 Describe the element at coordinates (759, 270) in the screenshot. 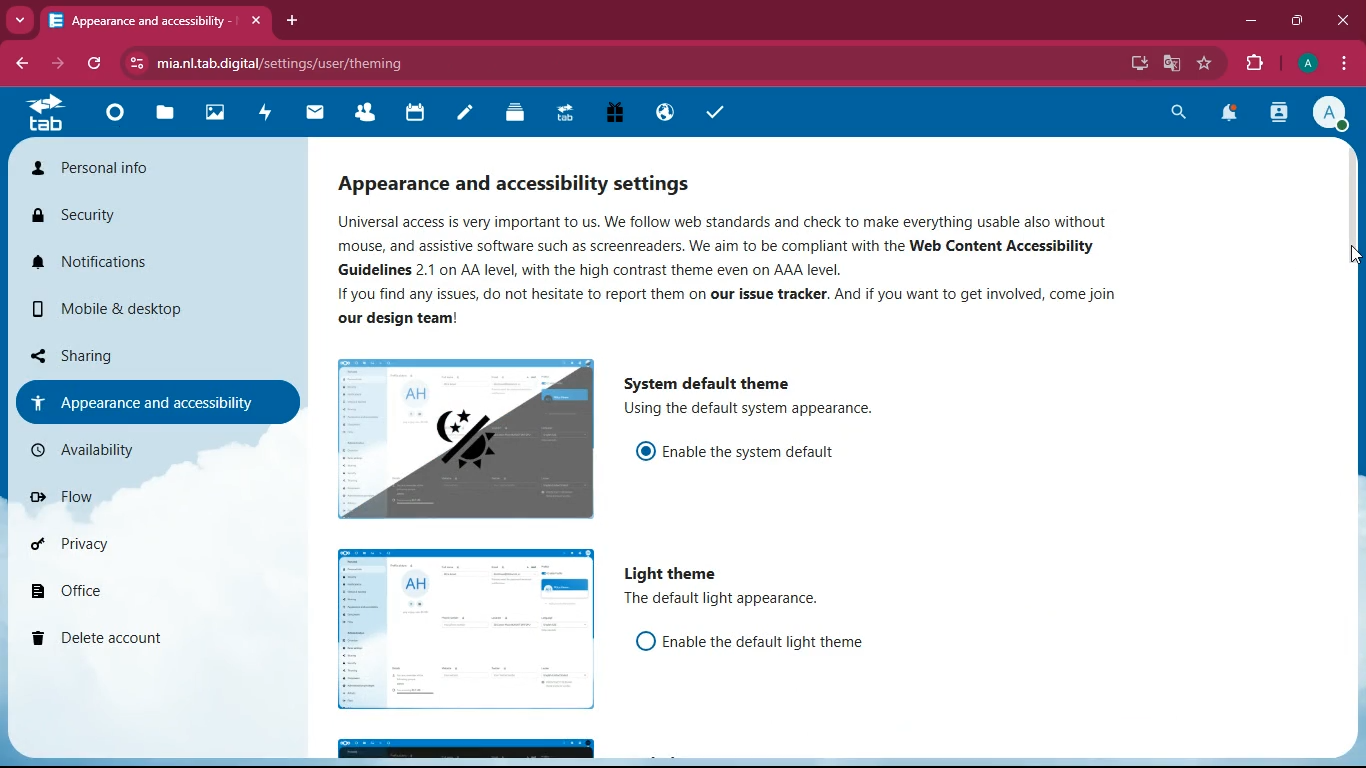

I see `description` at that location.